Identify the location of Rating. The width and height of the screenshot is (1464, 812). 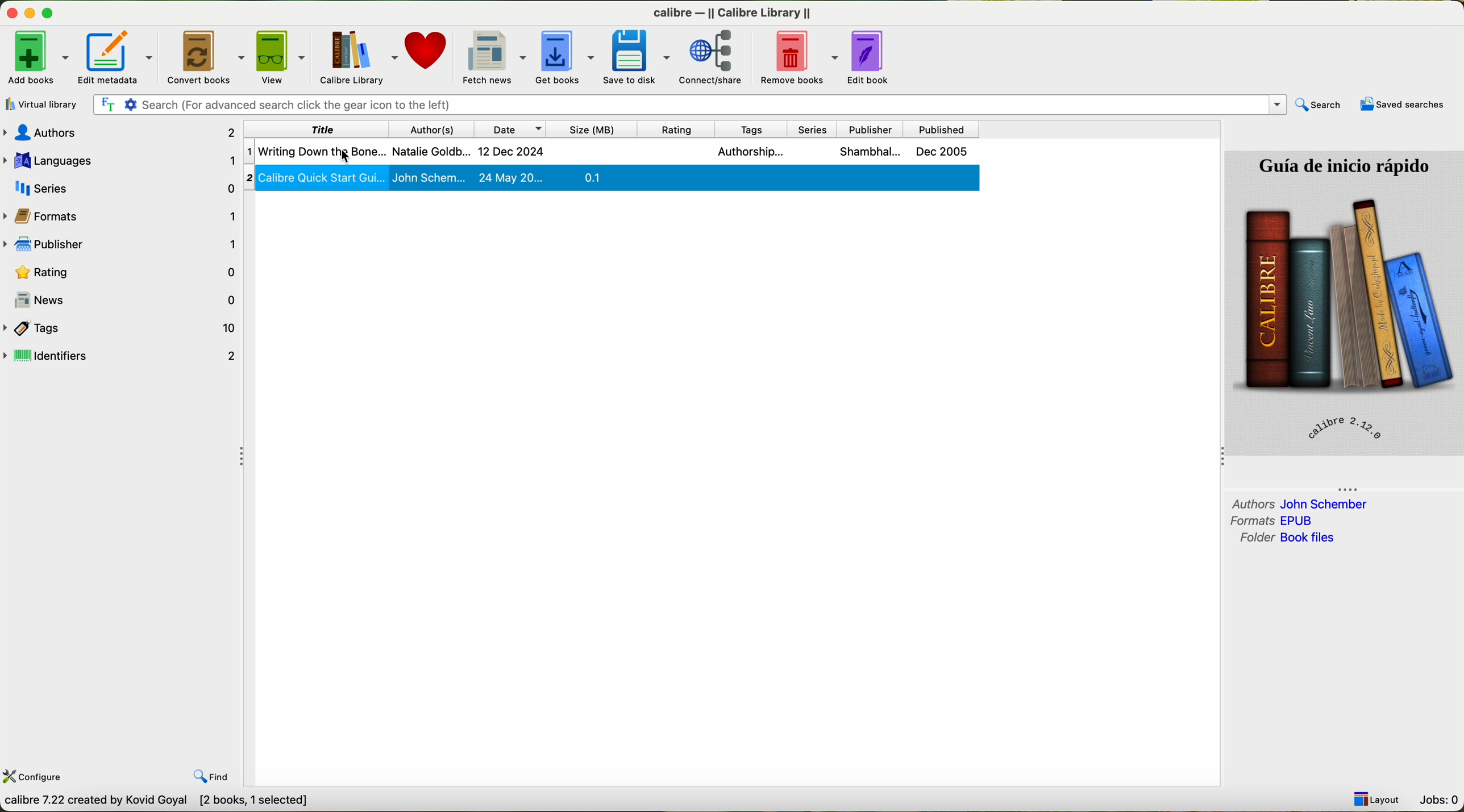
(128, 274).